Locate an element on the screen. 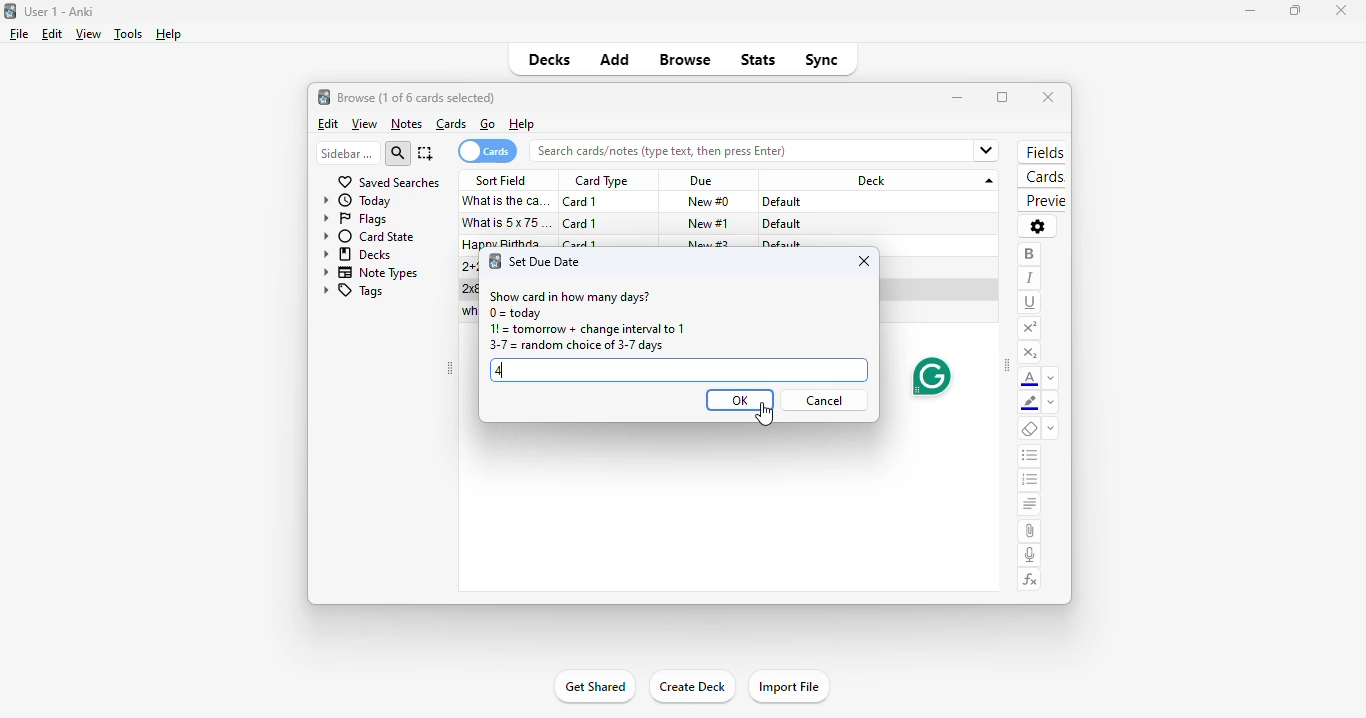  Search cards/notes (type text, then press Enter) is located at coordinates (769, 150).